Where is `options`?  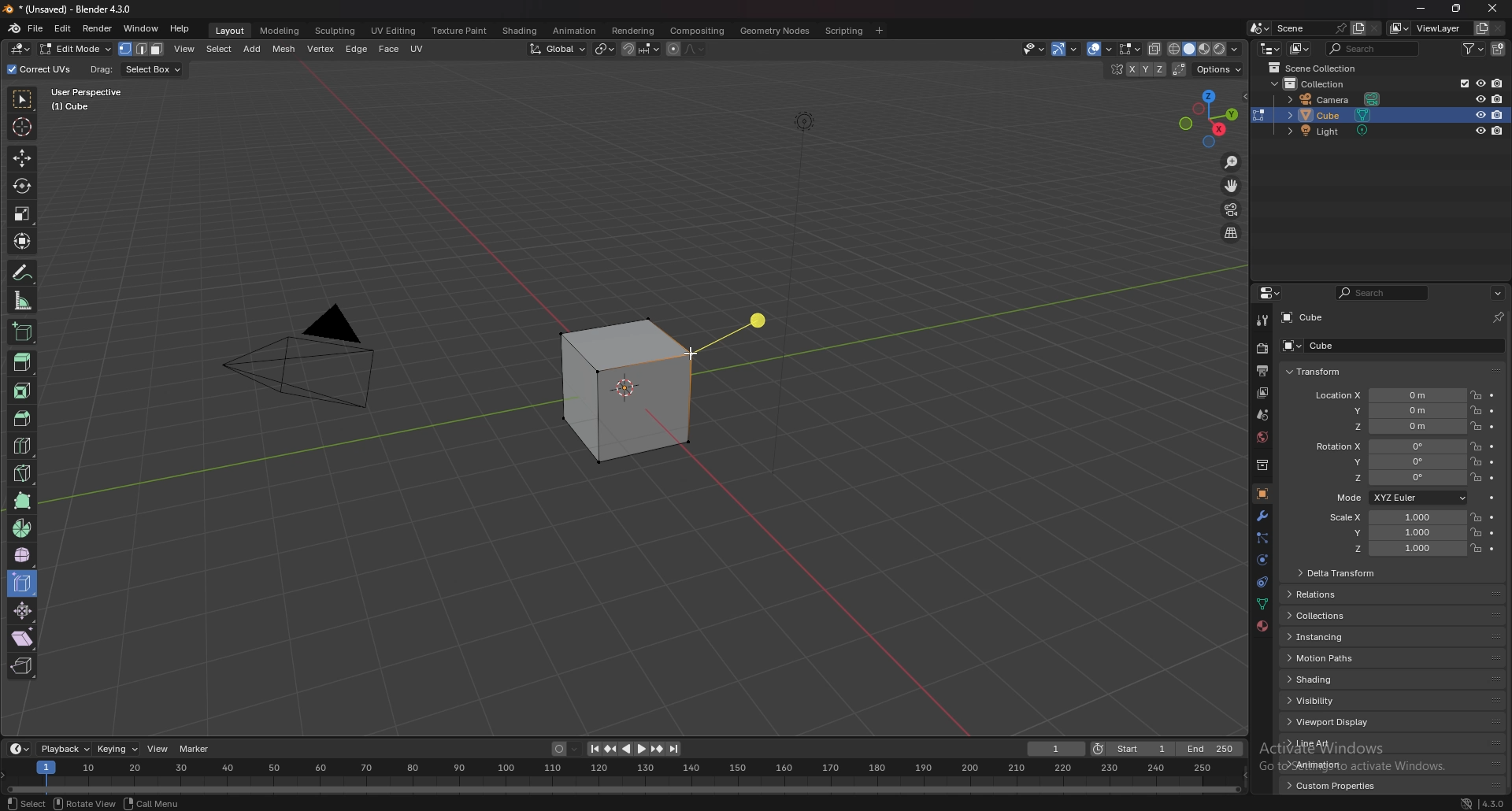 options is located at coordinates (1498, 292).